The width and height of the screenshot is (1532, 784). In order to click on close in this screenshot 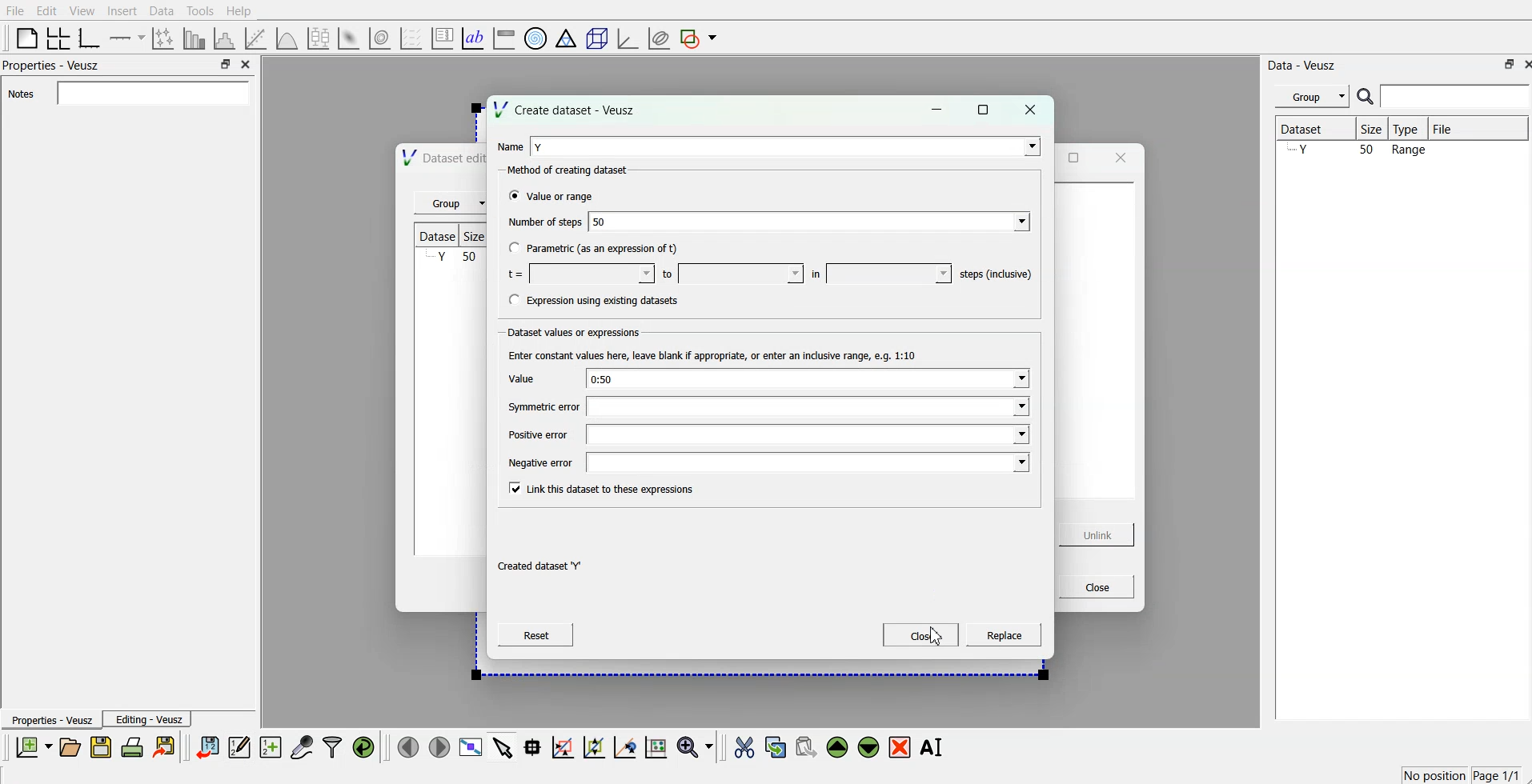, I will do `click(1120, 158)`.